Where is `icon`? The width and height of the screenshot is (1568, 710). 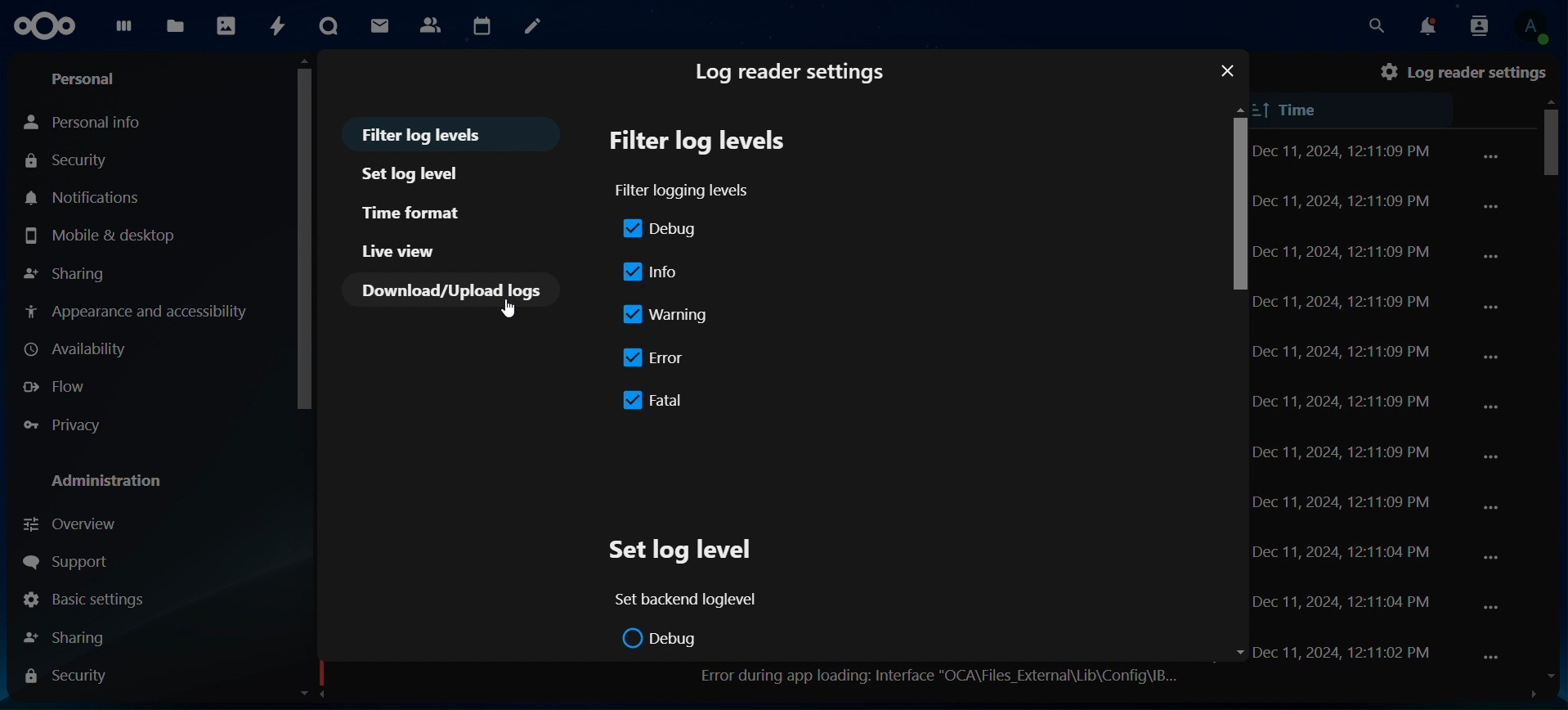
icon is located at coordinates (48, 26).